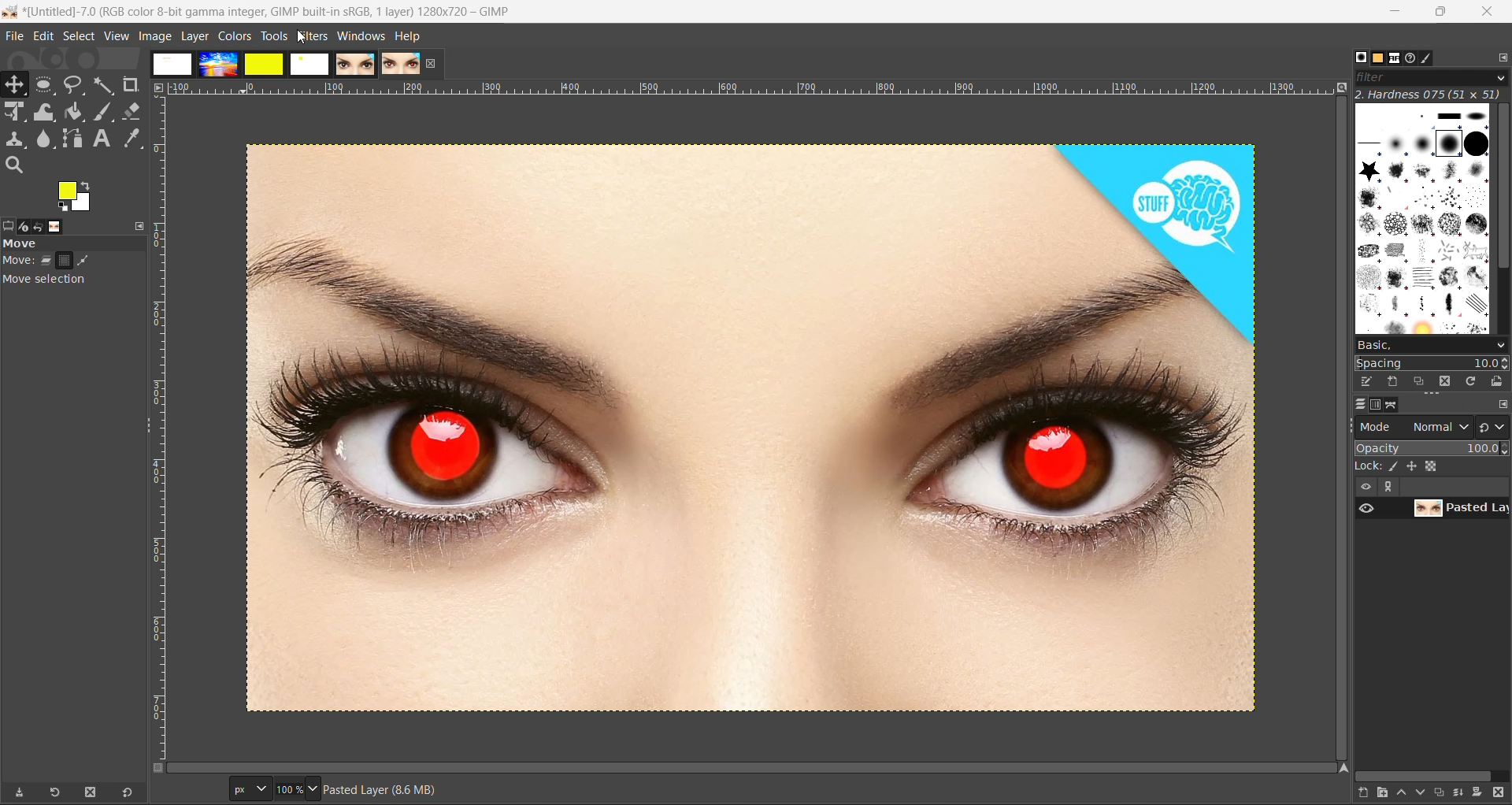 Image resolution: width=1512 pixels, height=805 pixels. I want to click on image, so click(753, 431).